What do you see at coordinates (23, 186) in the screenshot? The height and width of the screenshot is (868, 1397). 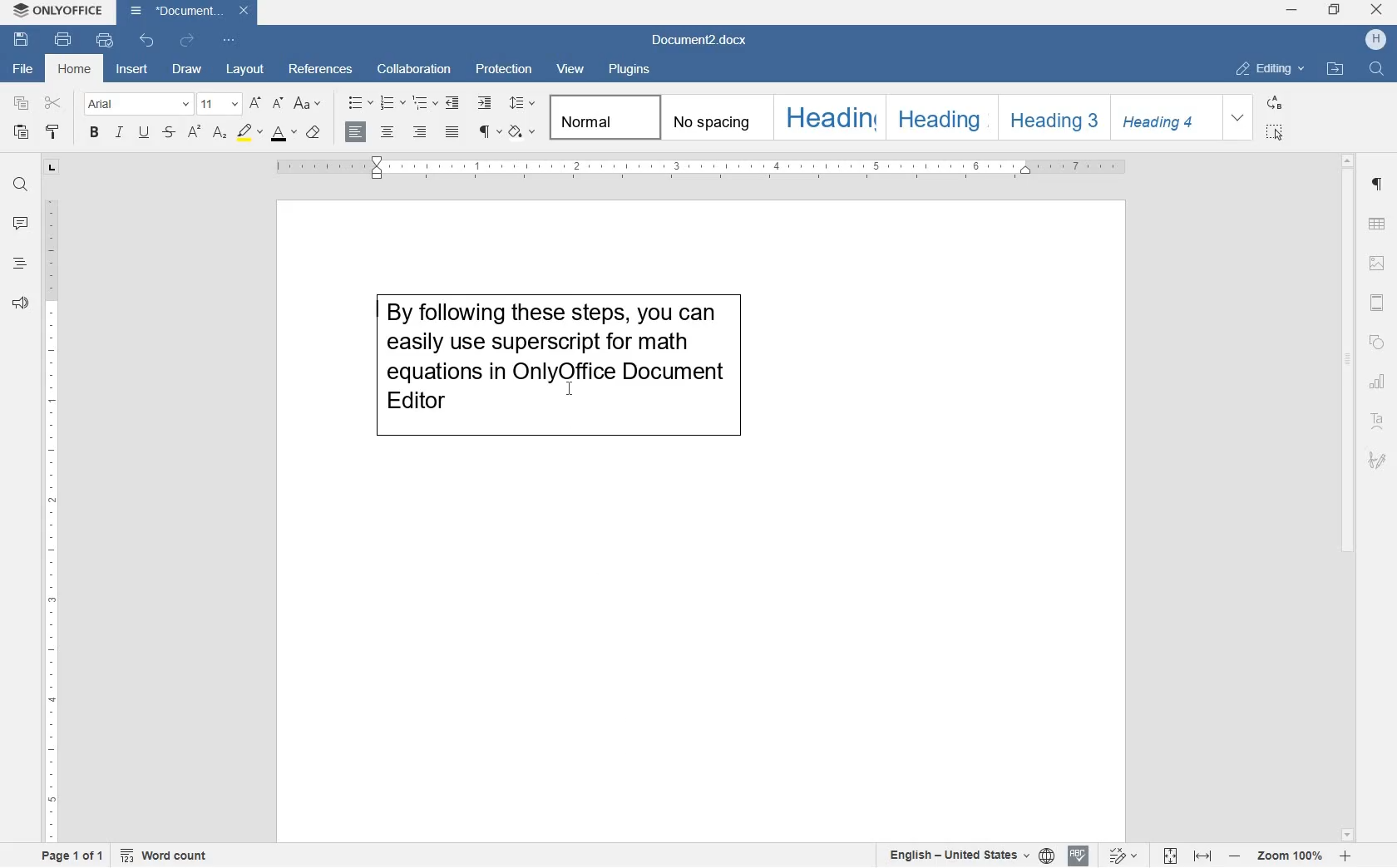 I see `find` at bounding box center [23, 186].